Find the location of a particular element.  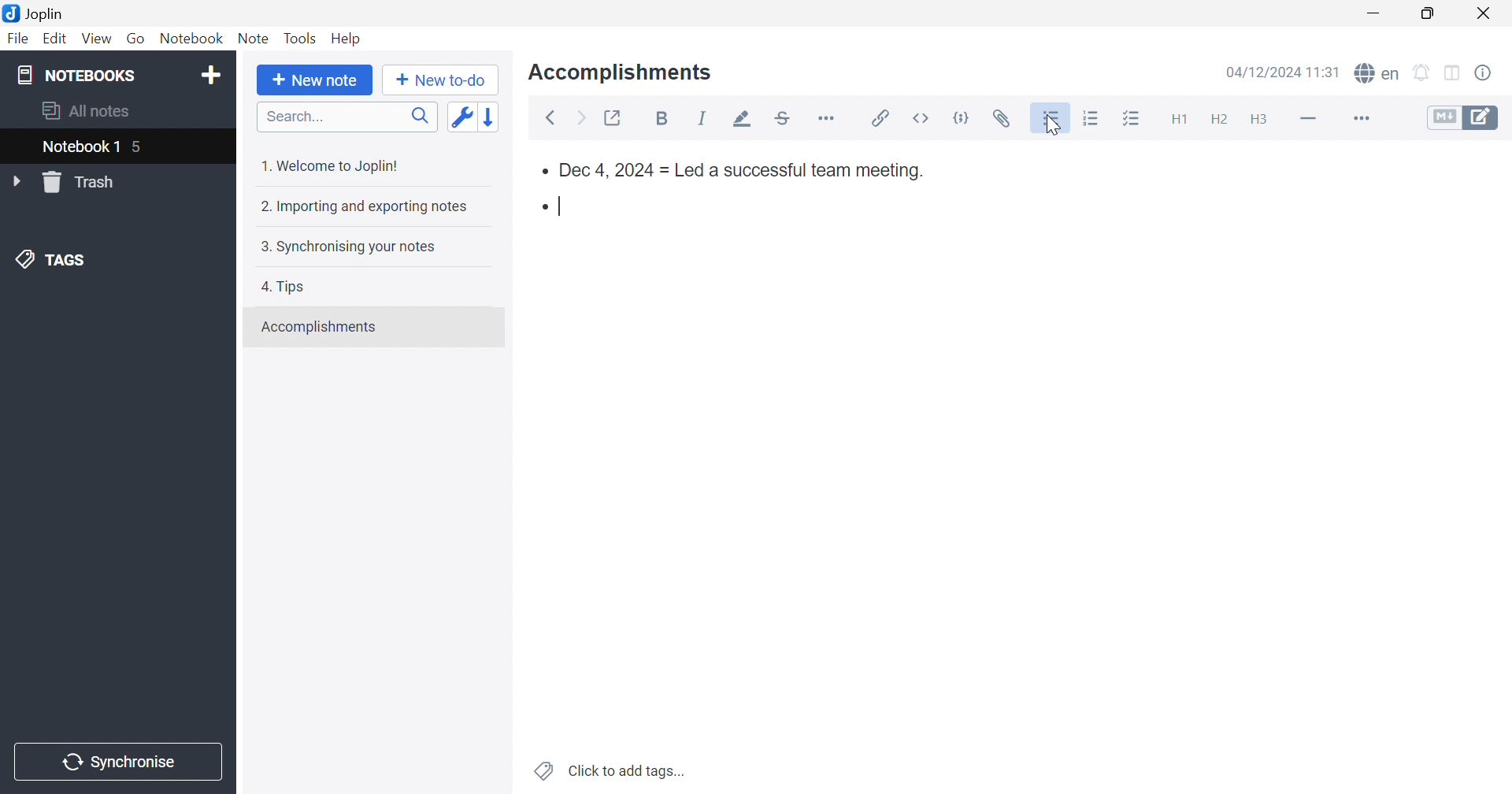

Numbered list is located at coordinates (1090, 118).